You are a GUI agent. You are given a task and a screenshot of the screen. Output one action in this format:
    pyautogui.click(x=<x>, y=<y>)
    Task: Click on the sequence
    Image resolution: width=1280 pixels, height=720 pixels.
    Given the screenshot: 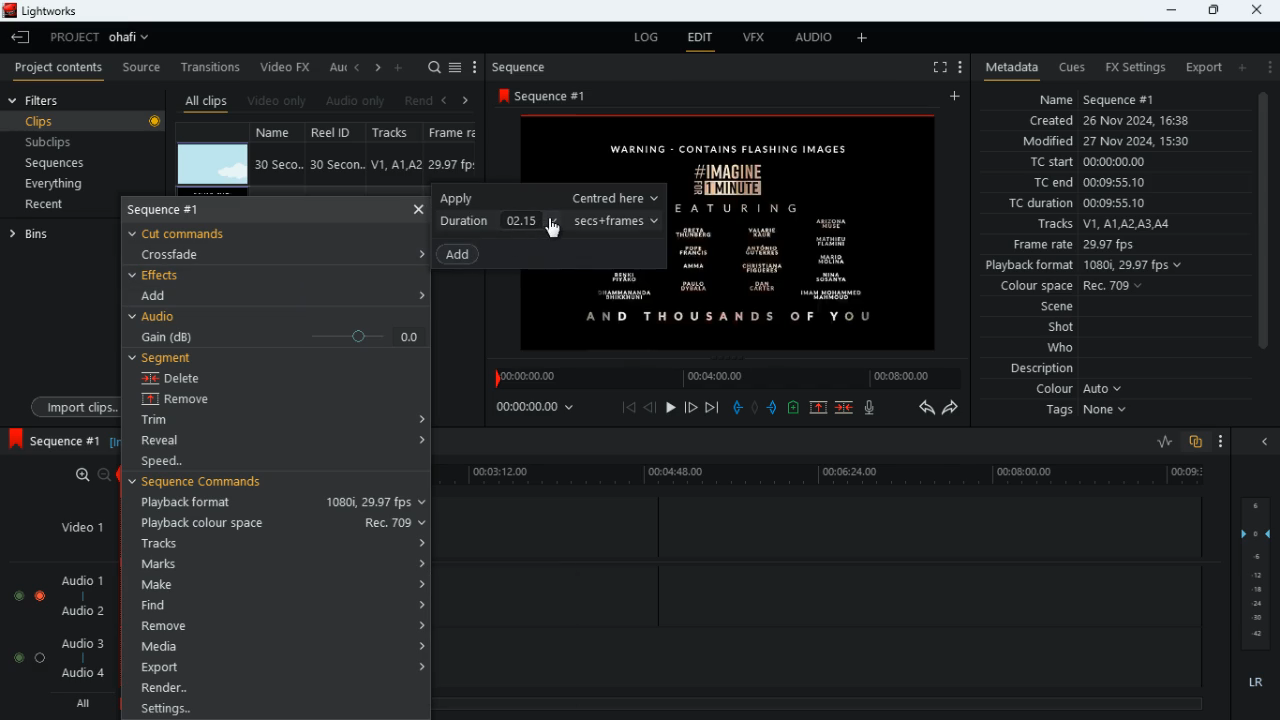 What is the action you would take?
    pyautogui.click(x=558, y=95)
    